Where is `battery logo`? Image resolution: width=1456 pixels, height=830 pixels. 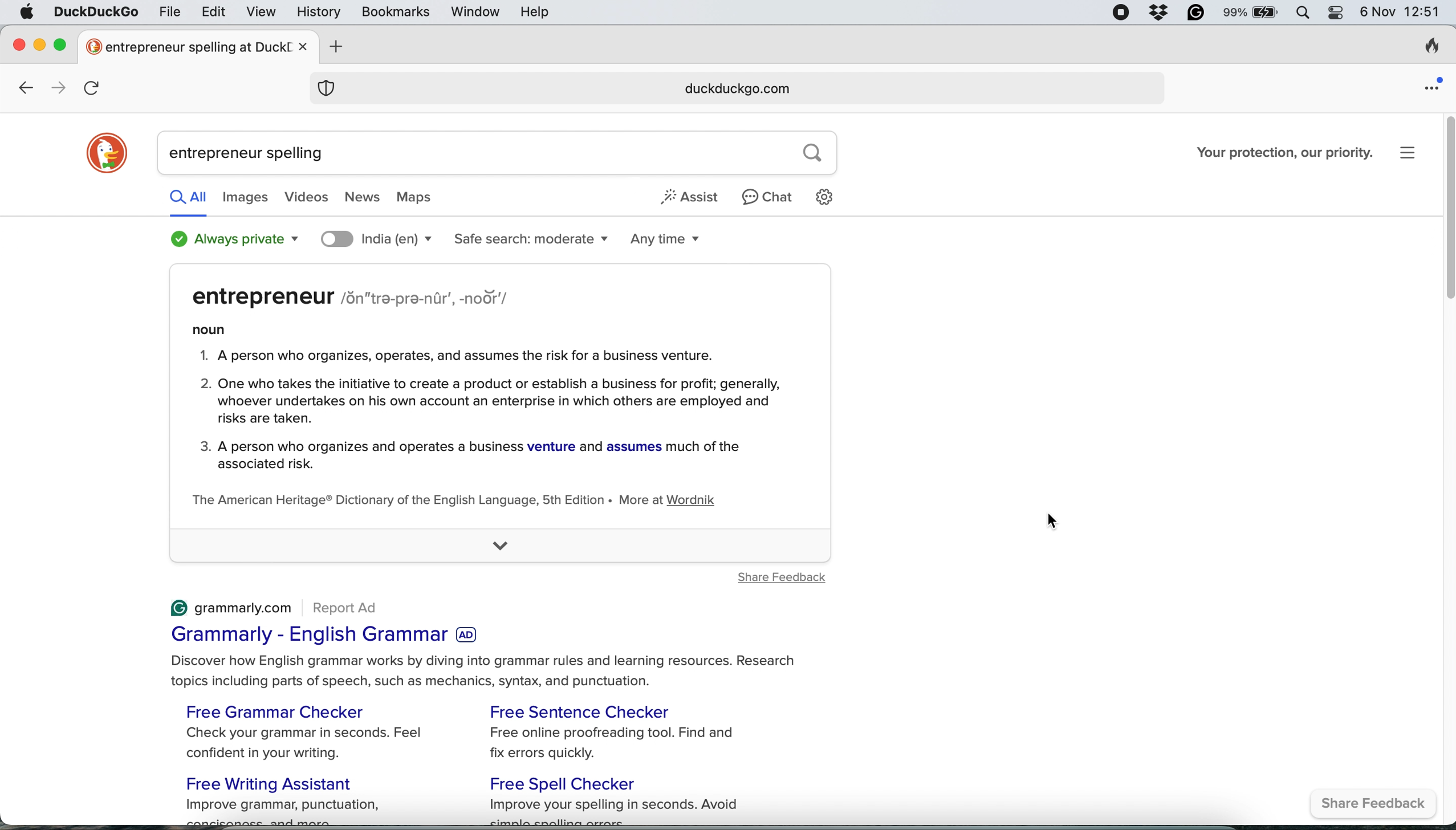 battery logo is located at coordinates (1269, 13).